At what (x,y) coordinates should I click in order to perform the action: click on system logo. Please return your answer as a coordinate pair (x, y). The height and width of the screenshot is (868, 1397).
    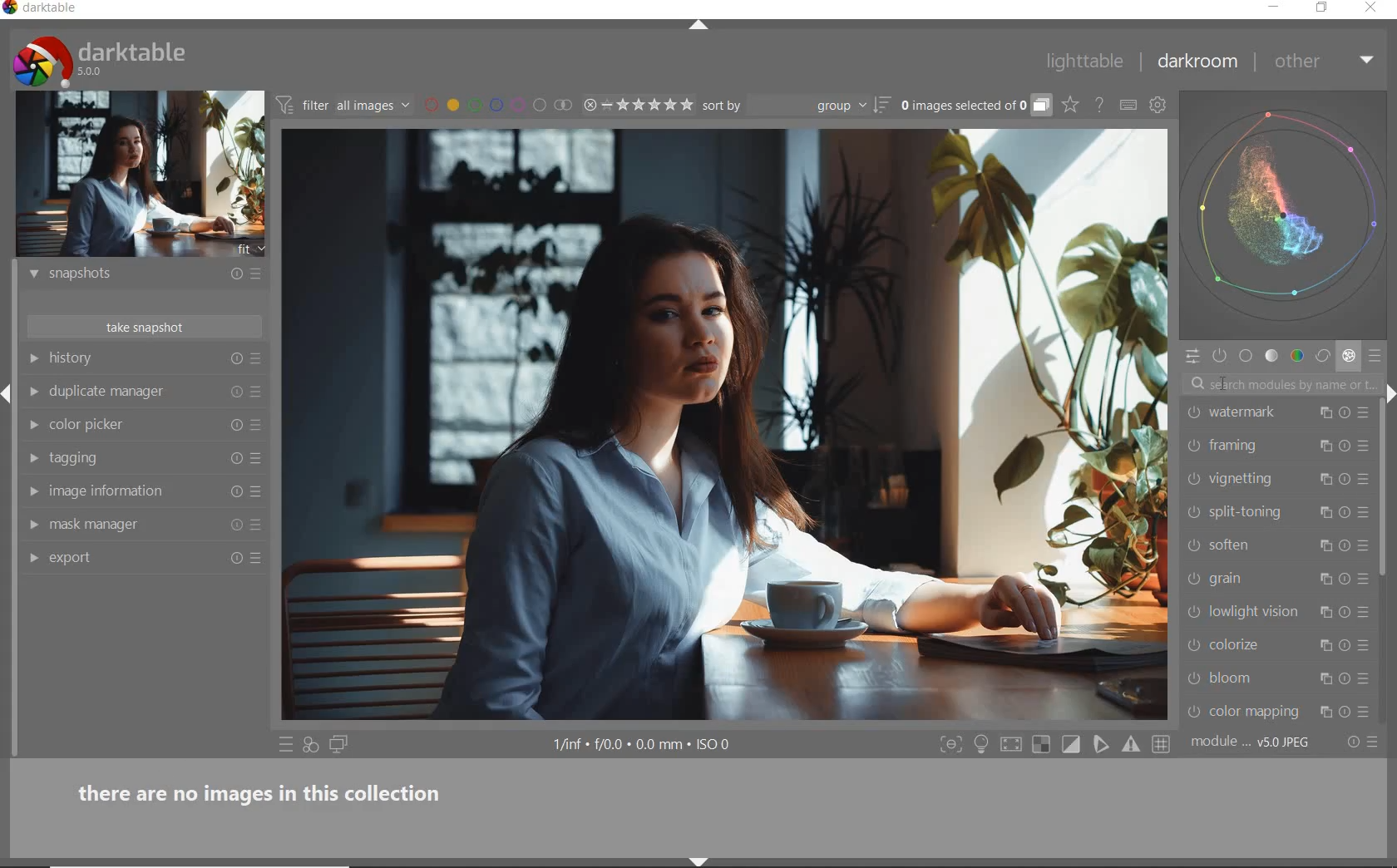
    Looking at the image, I should click on (101, 61).